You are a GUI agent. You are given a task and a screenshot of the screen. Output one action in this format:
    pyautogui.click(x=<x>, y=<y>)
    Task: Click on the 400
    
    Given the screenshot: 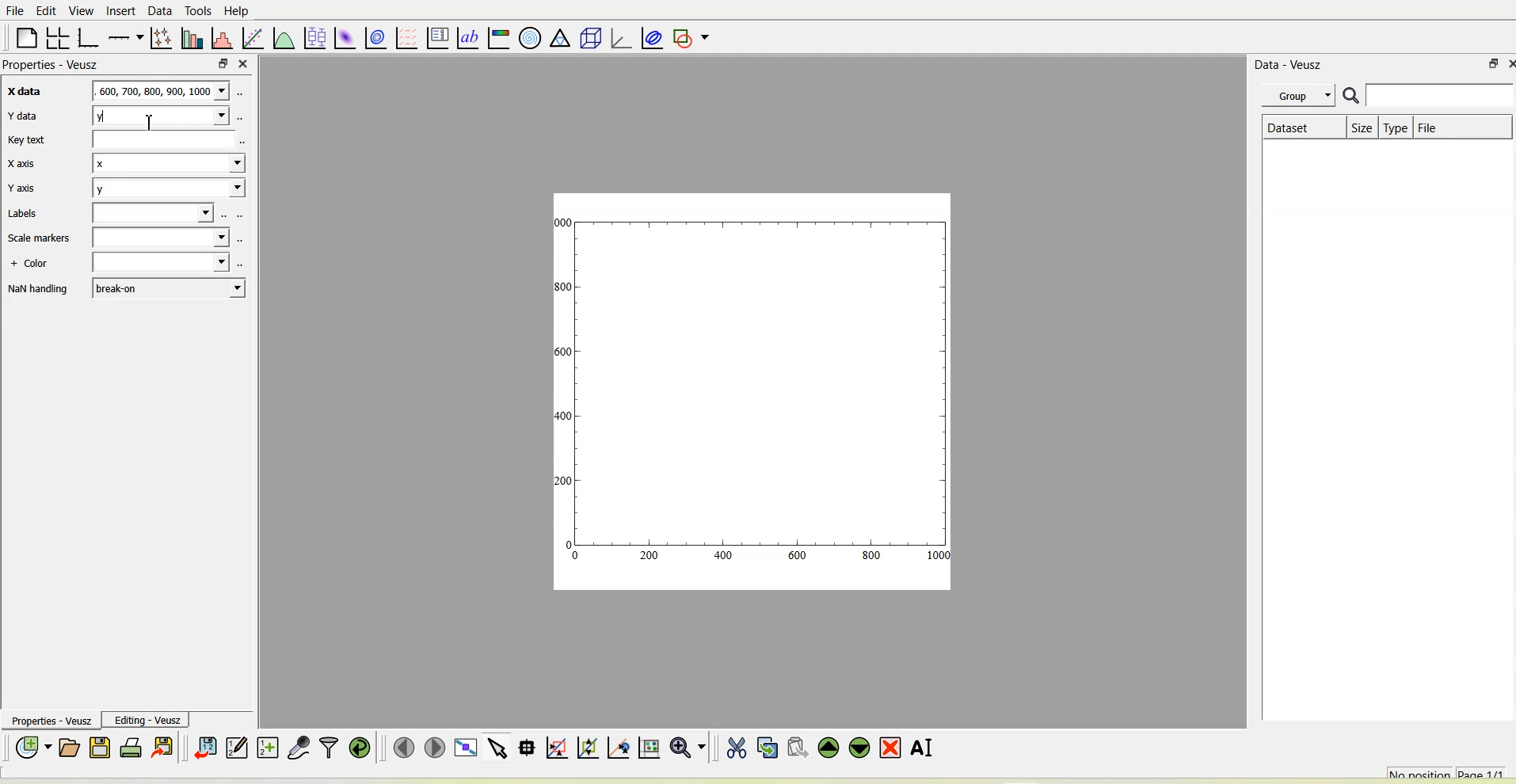 What is the action you would take?
    pyautogui.click(x=564, y=414)
    